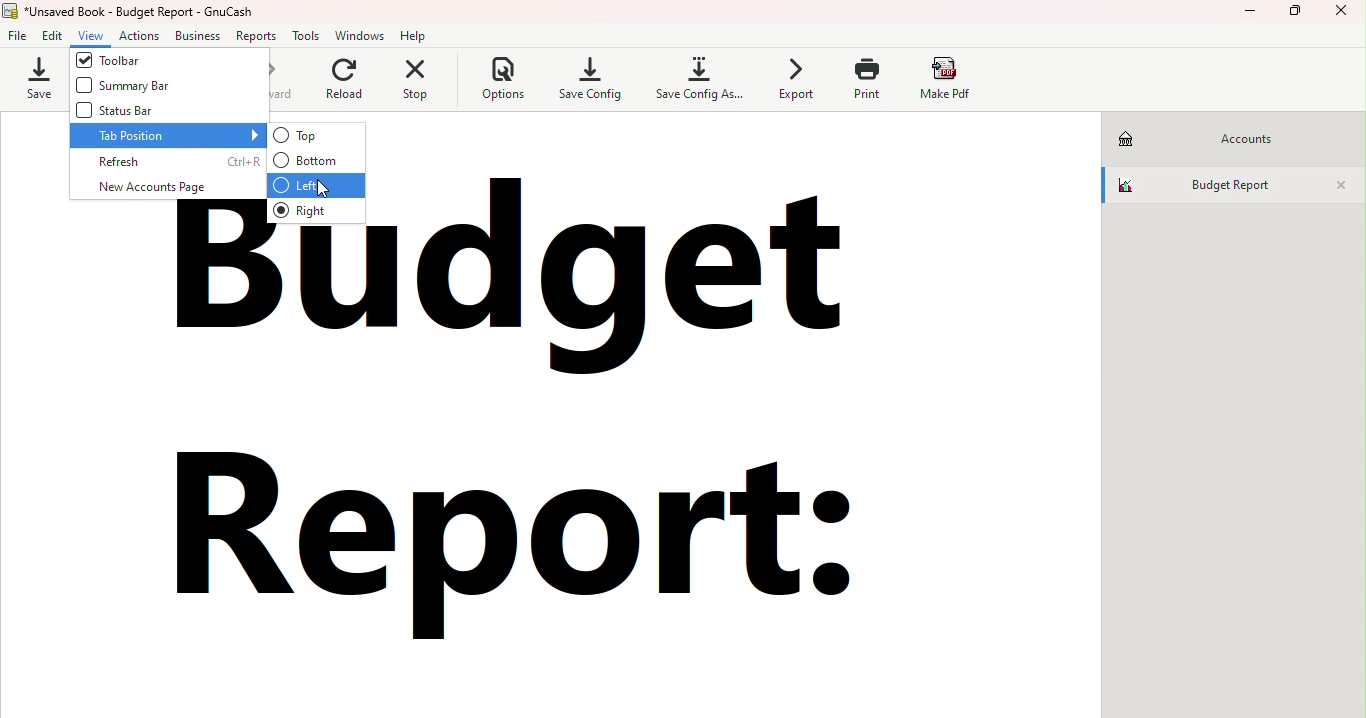 The image size is (1366, 718). Describe the element at coordinates (168, 185) in the screenshot. I see `New account` at that location.